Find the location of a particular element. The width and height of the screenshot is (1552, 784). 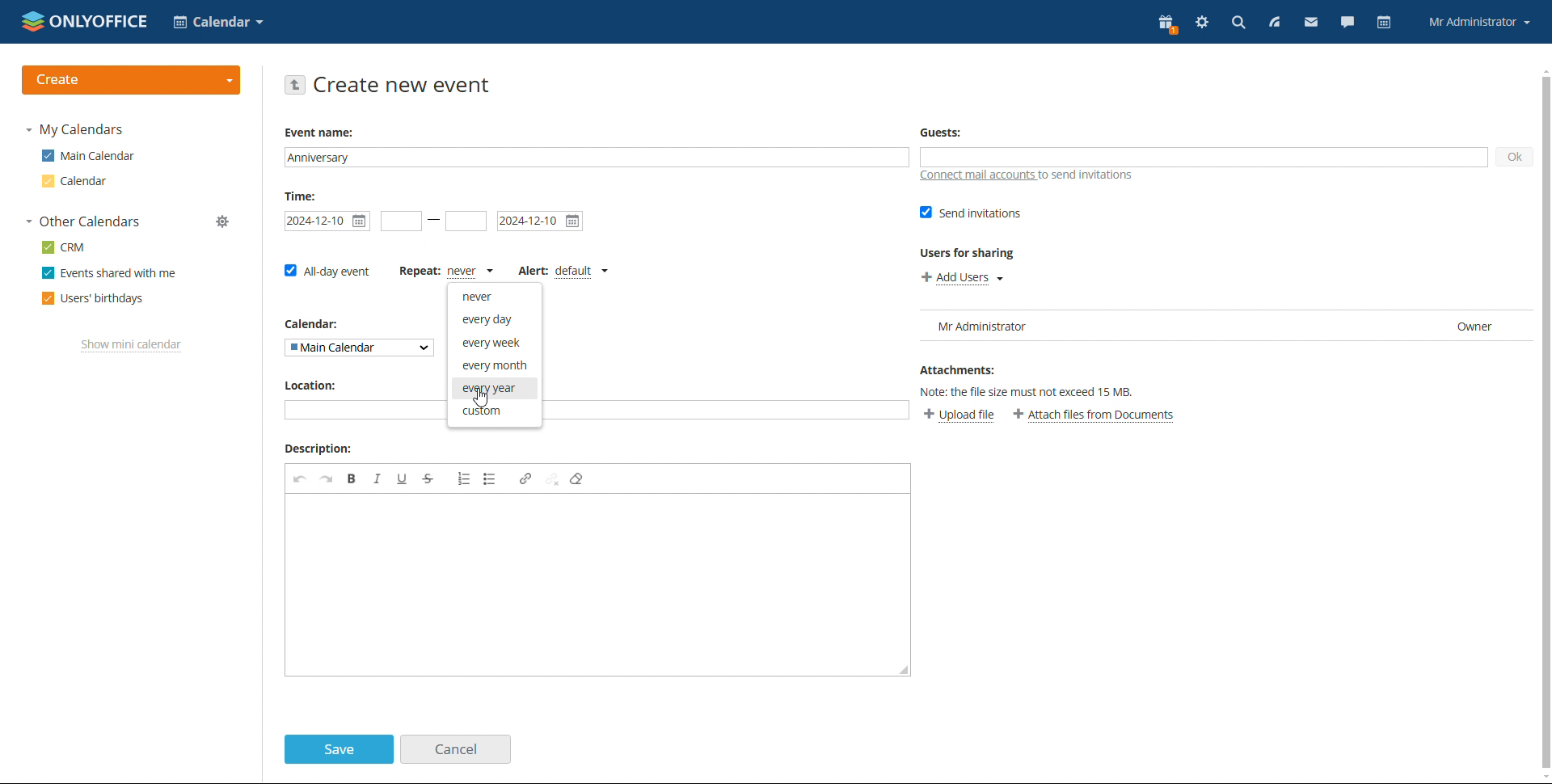

account is located at coordinates (1479, 21).